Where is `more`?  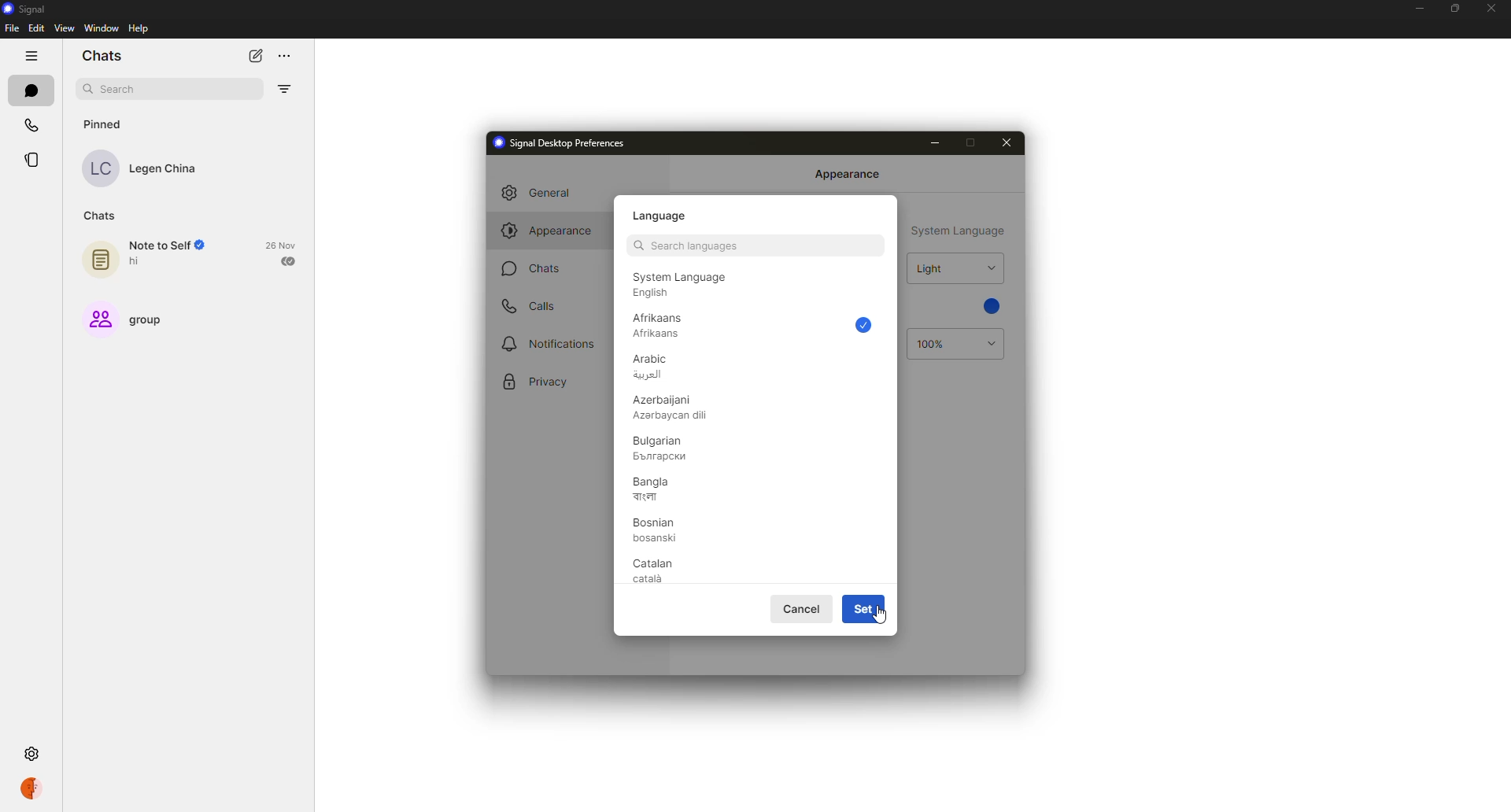
more is located at coordinates (285, 57).